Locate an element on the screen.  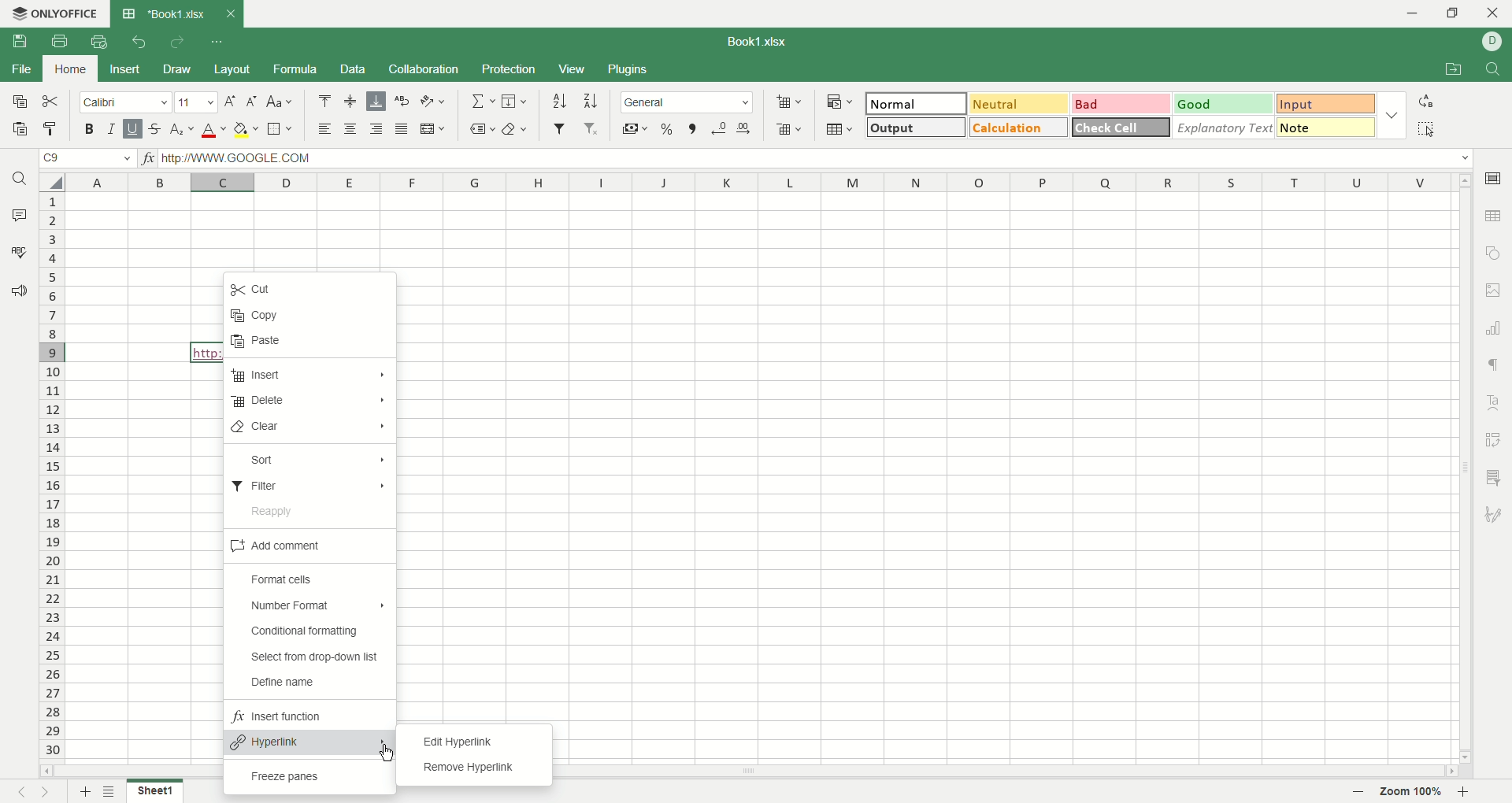
check cell is located at coordinates (1120, 128).